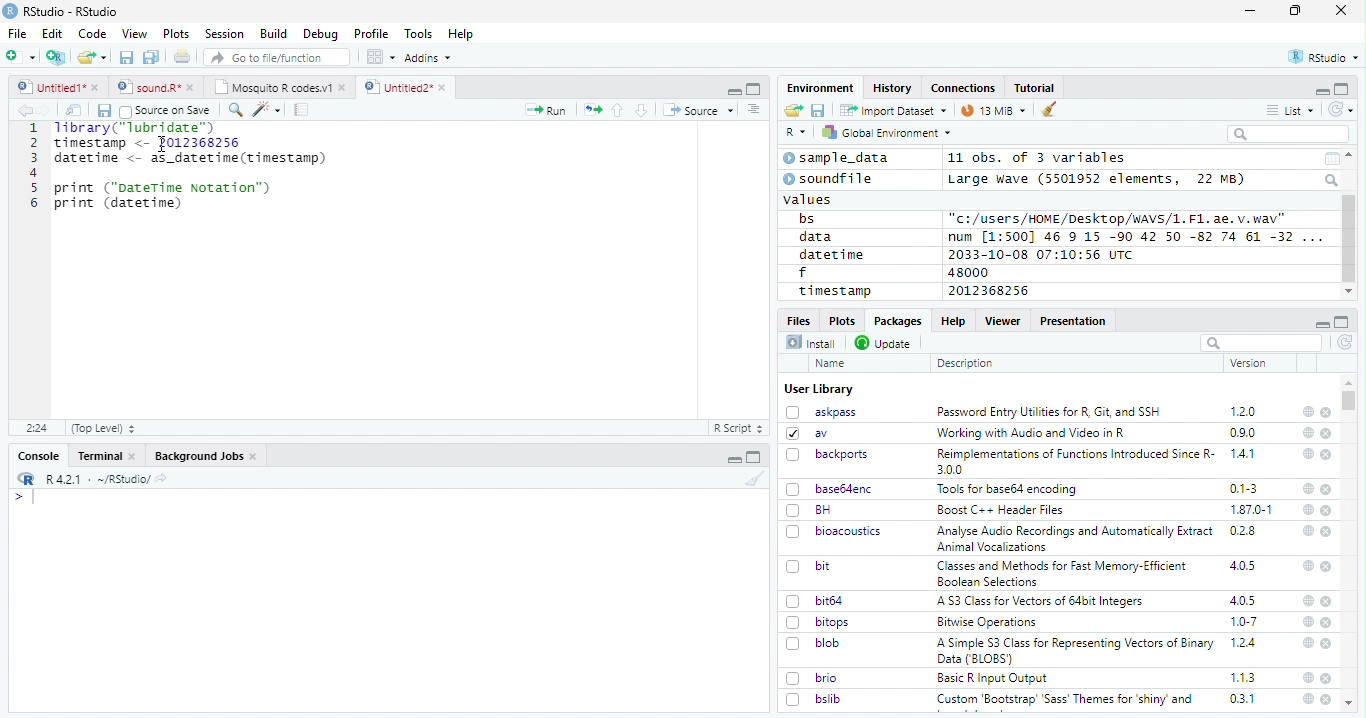 The image size is (1366, 718). Describe the element at coordinates (1042, 602) in the screenshot. I see `A S3 Class for Vectors of 64bit Integers` at that location.